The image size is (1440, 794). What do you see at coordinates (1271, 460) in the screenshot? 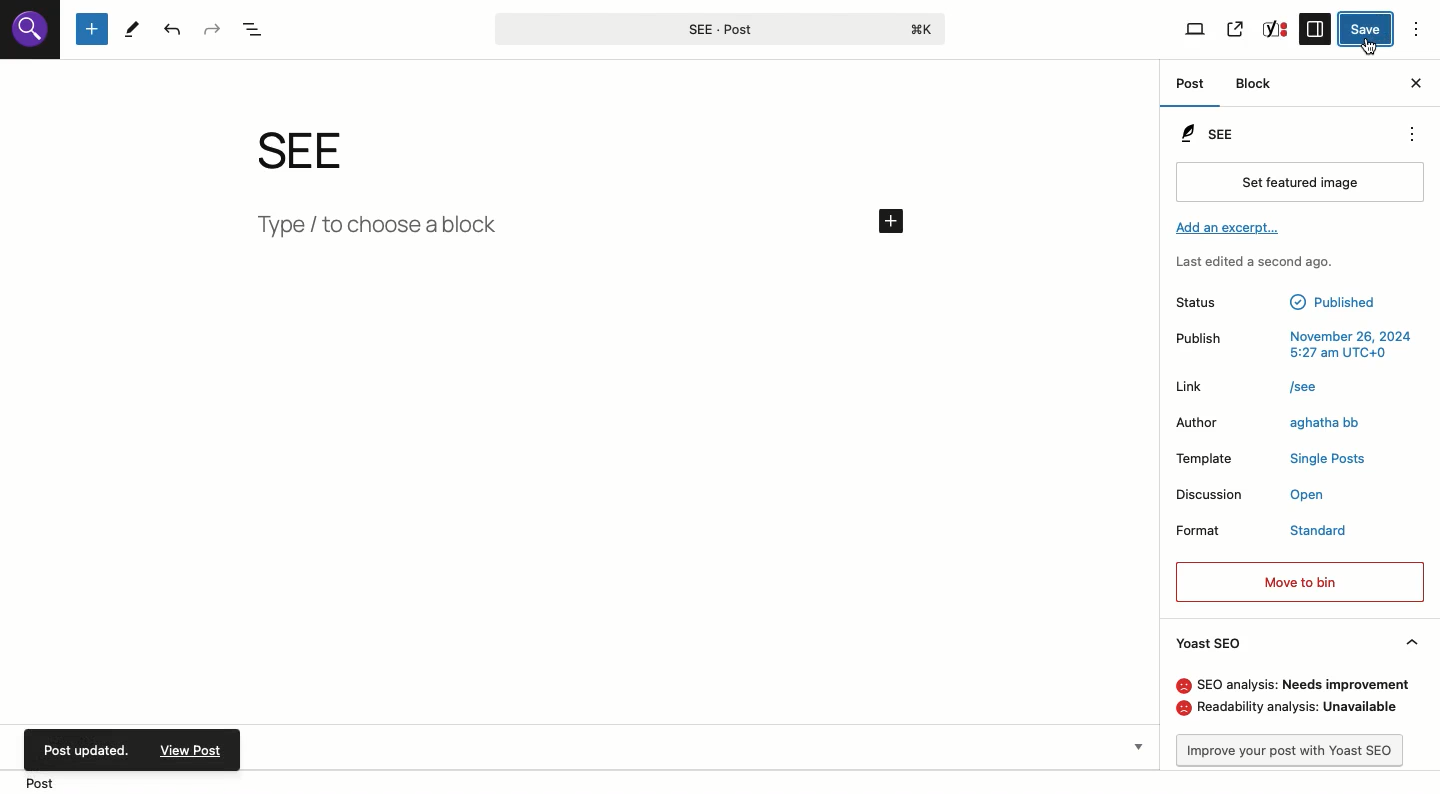
I see `Template Single Posts` at bounding box center [1271, 460].